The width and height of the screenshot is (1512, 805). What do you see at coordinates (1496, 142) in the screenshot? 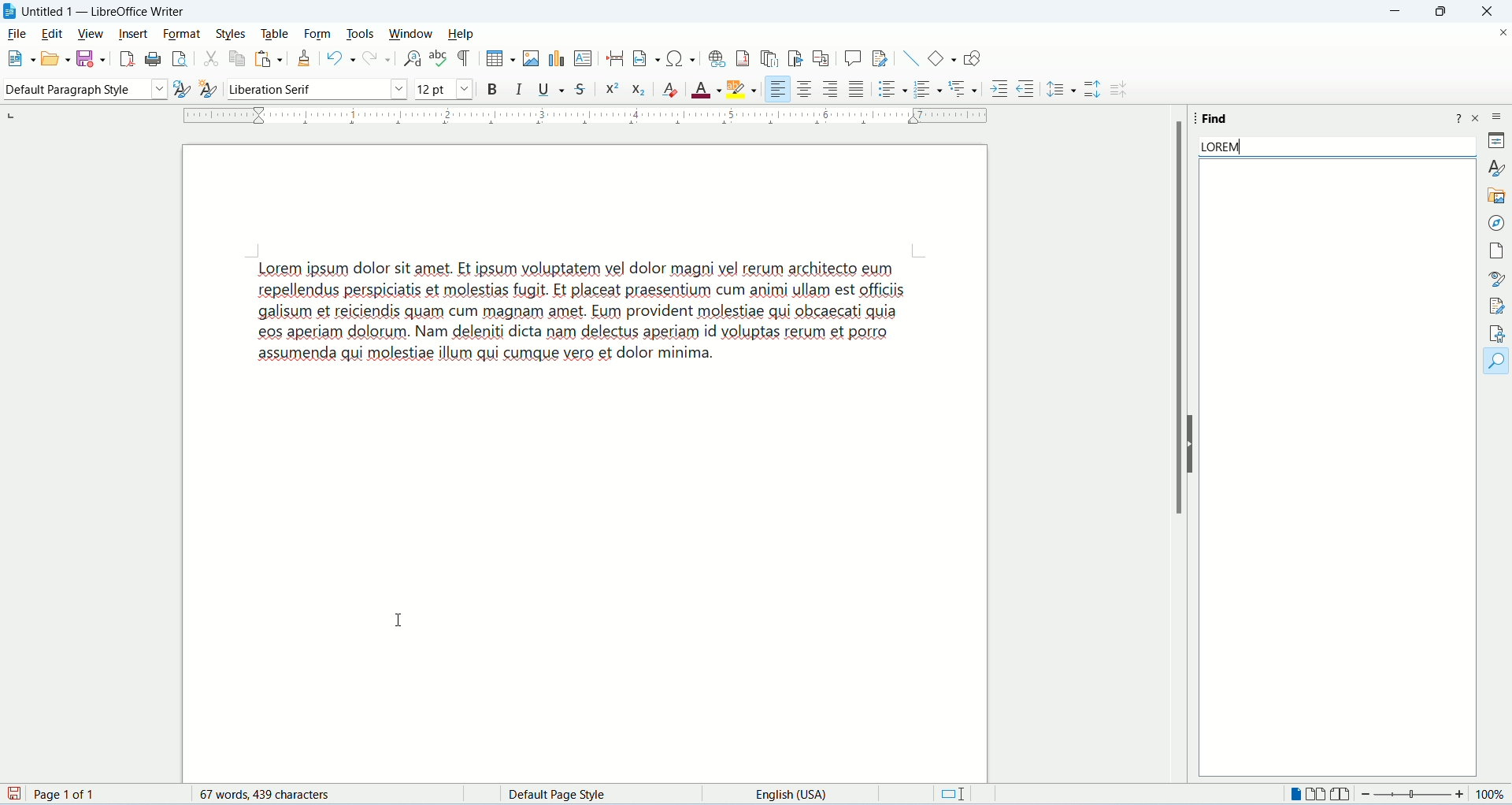
I see `properties` at bounding box center [1496, 142].